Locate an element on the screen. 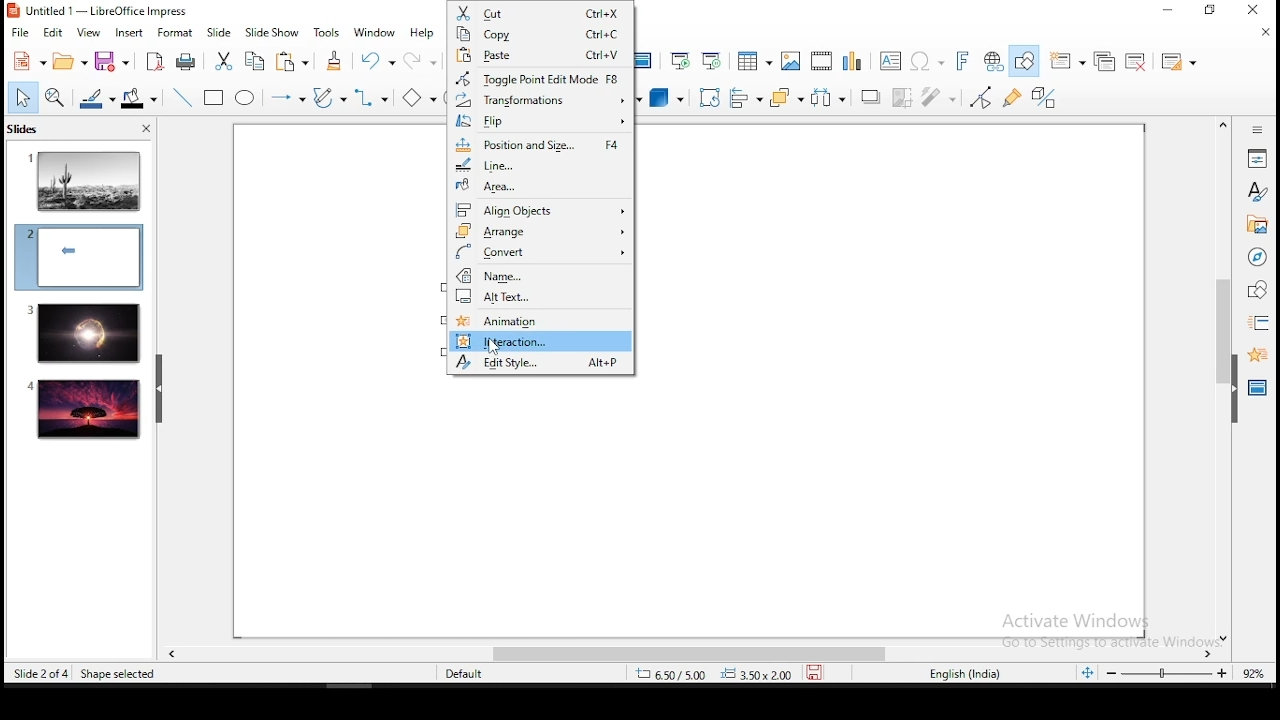 The width and height of the screenshot is (1280, 720). Activate Window
be Windc is located at coordinates (1100, 627).